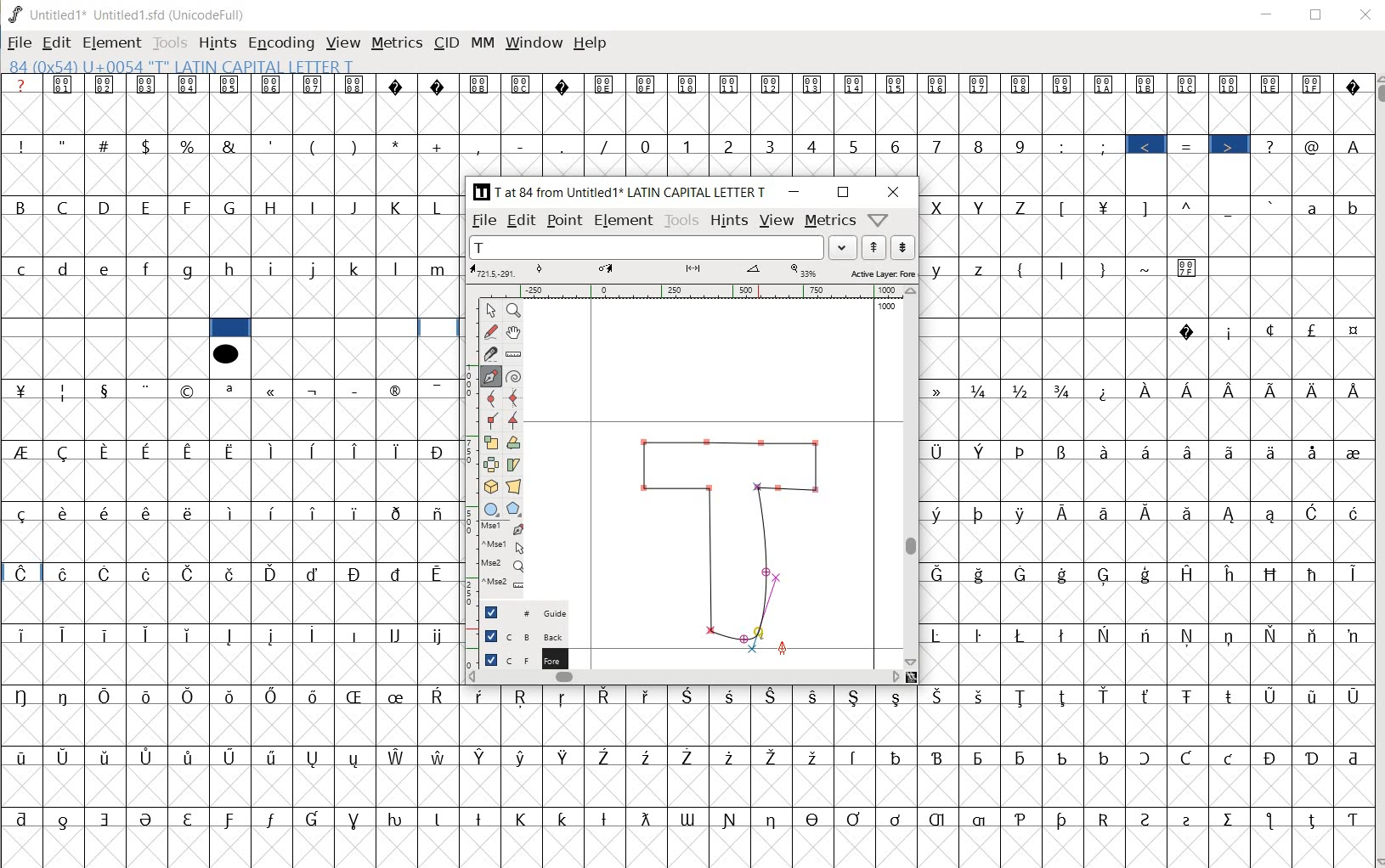 Image resolution: width=1385 pixels, height=868 pixels. I want to click on Symbol, so click(856, 695).